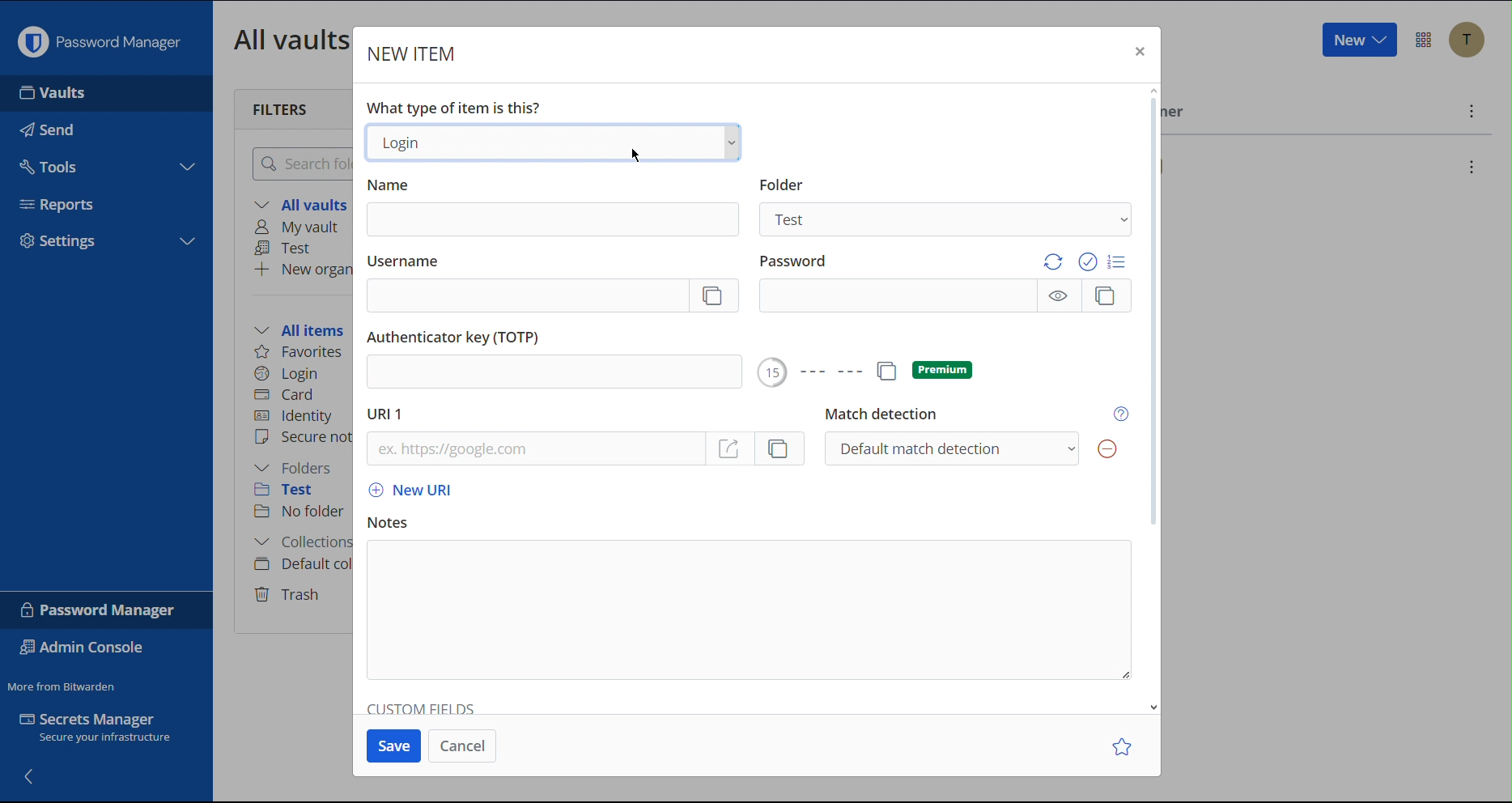 The height and width of the screenshot is (803, 1512). What do you see at coordinates (295, 492) in the screenshot?
I see `Test` at bounding box center [295, 492].